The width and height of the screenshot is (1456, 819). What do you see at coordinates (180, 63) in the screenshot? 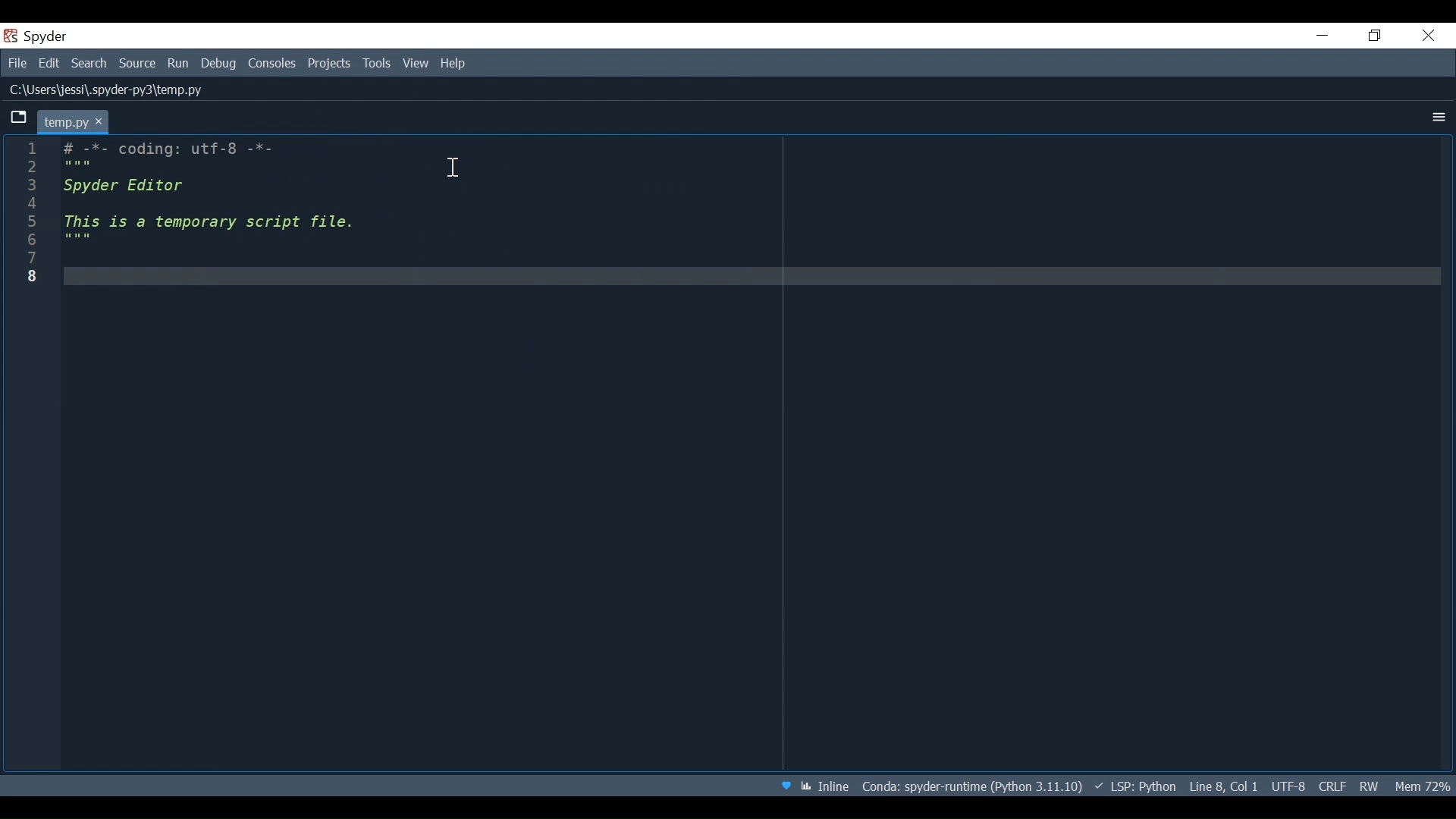
I see `Run` at bounding box center [180, 63].